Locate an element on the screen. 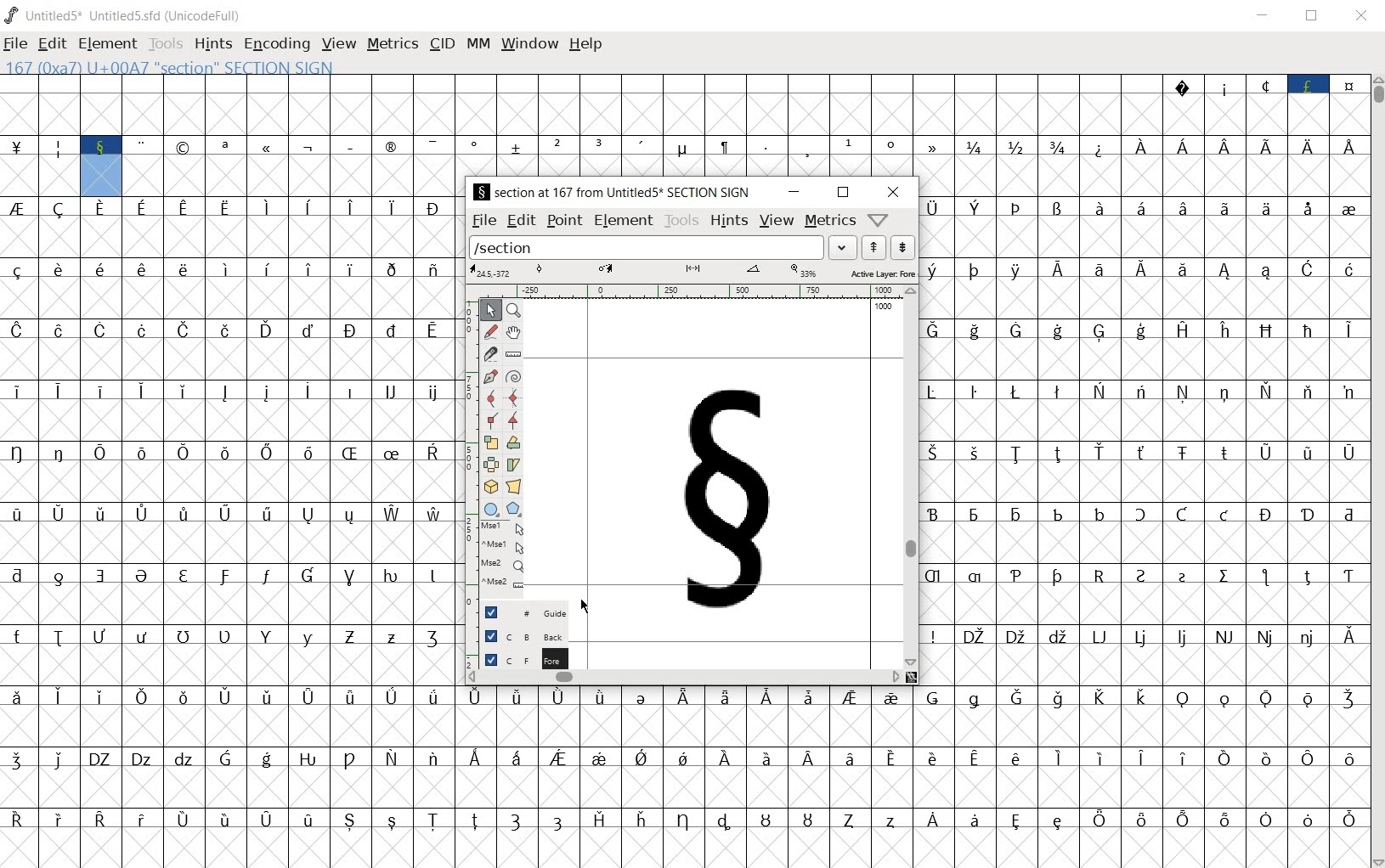 This screenshot has height=868, width=1385. EDIT is located at coordinates (52, 45).